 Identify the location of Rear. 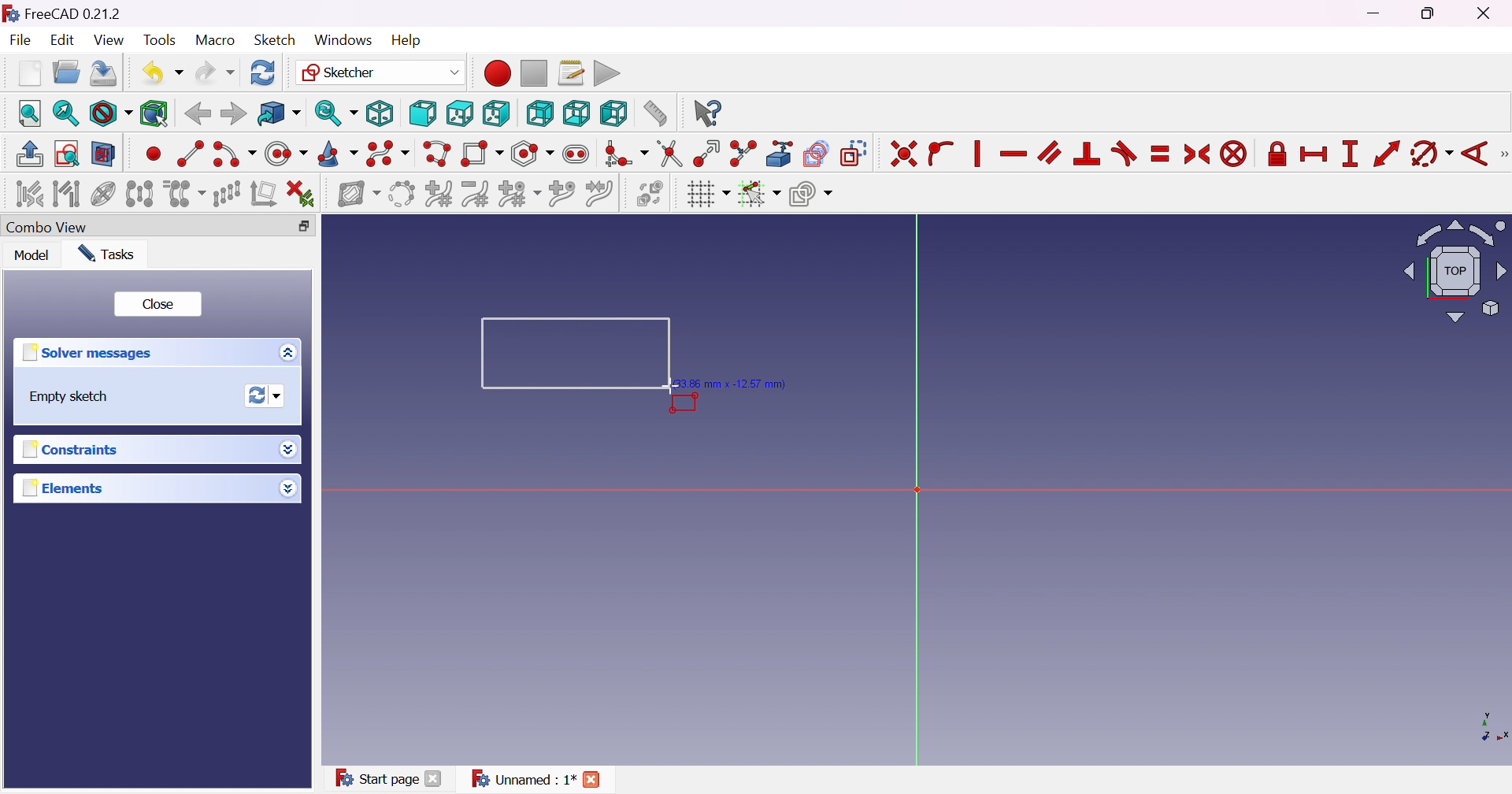
(540, 114).